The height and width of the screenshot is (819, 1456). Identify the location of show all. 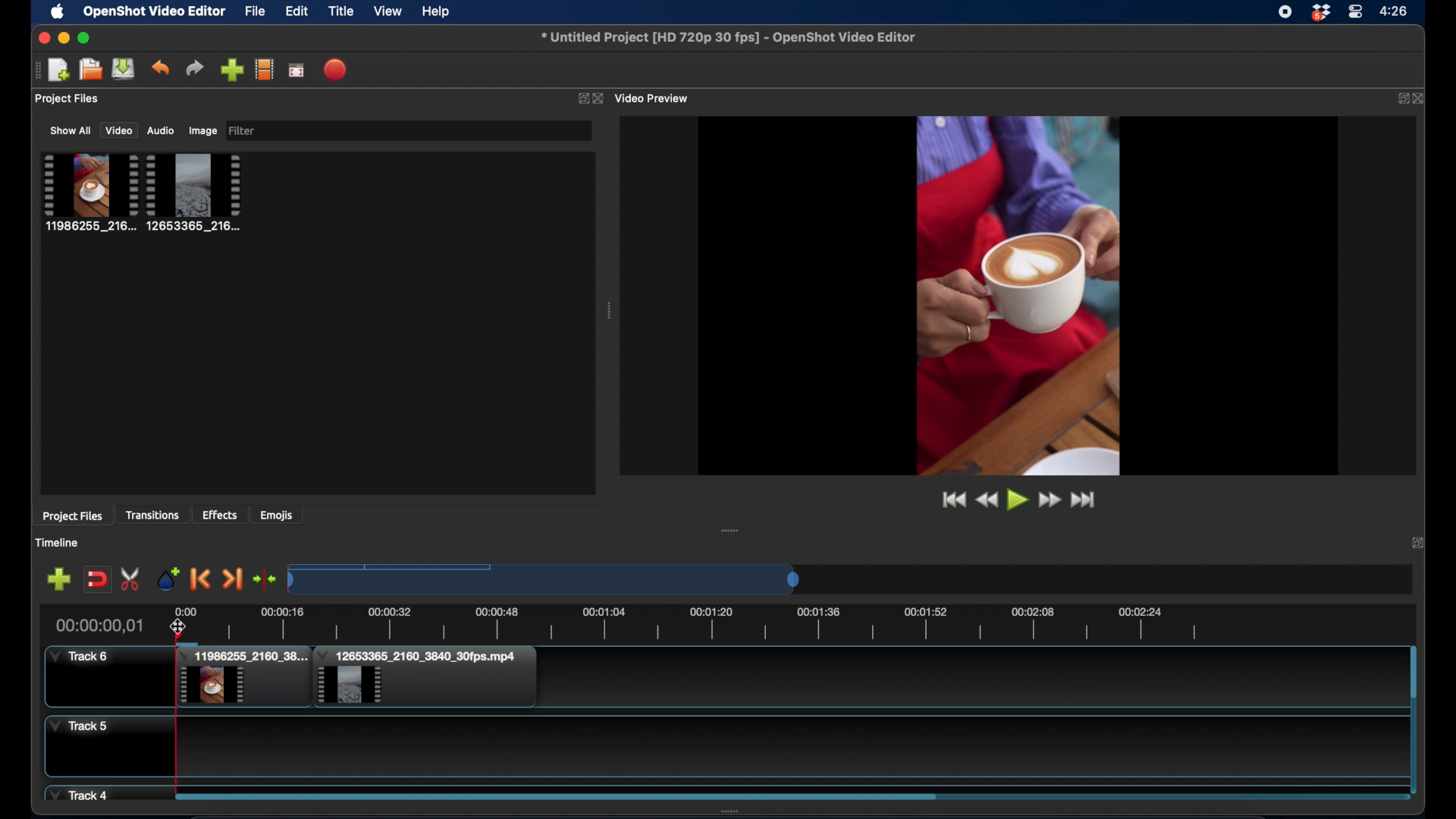
(70, 130).